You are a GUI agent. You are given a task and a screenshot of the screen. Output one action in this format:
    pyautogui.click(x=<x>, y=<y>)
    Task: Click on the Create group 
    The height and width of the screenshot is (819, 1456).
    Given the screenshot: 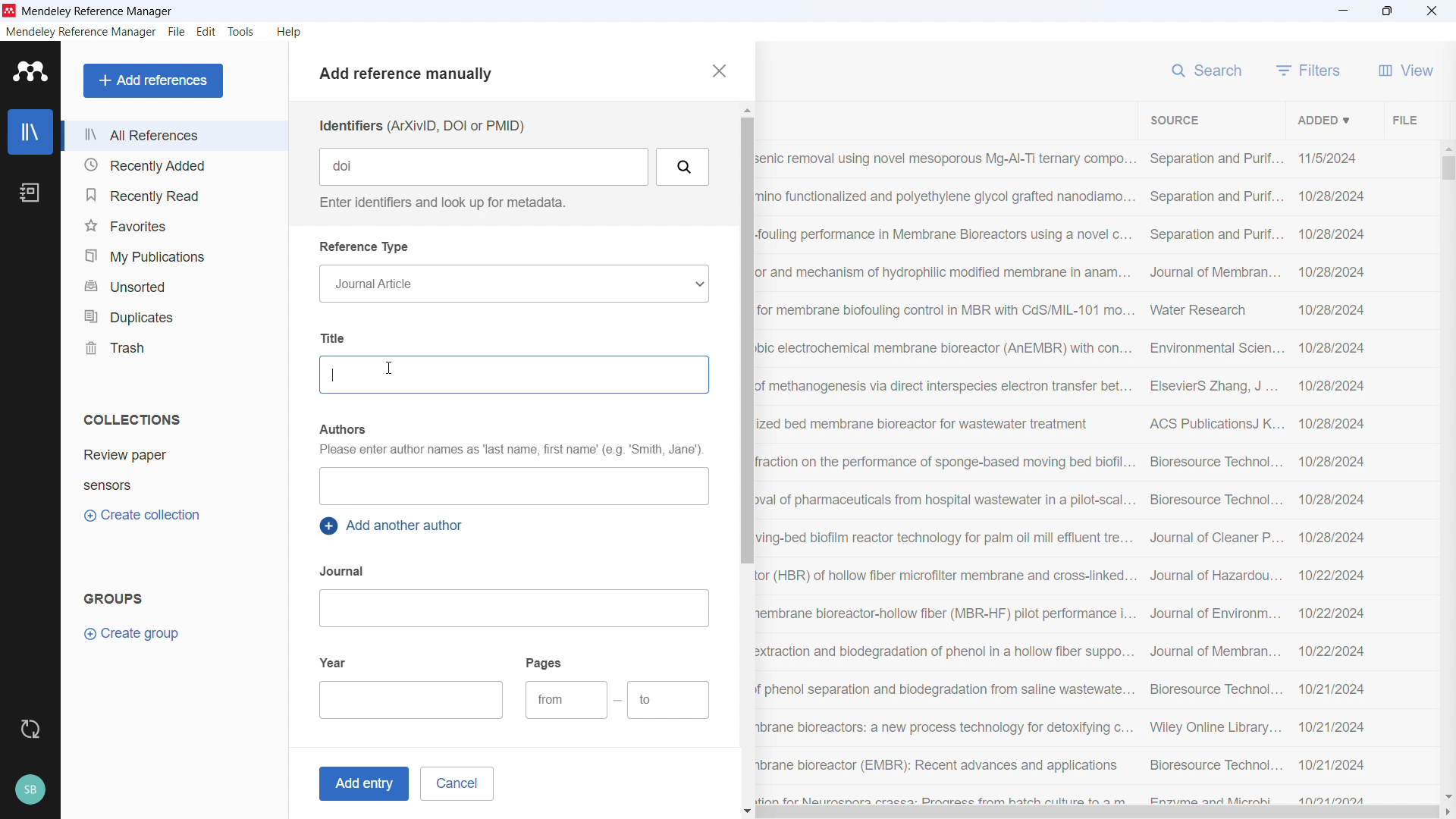 What is the action you would take?
    pyautogui.click(x=133, y=634)
    